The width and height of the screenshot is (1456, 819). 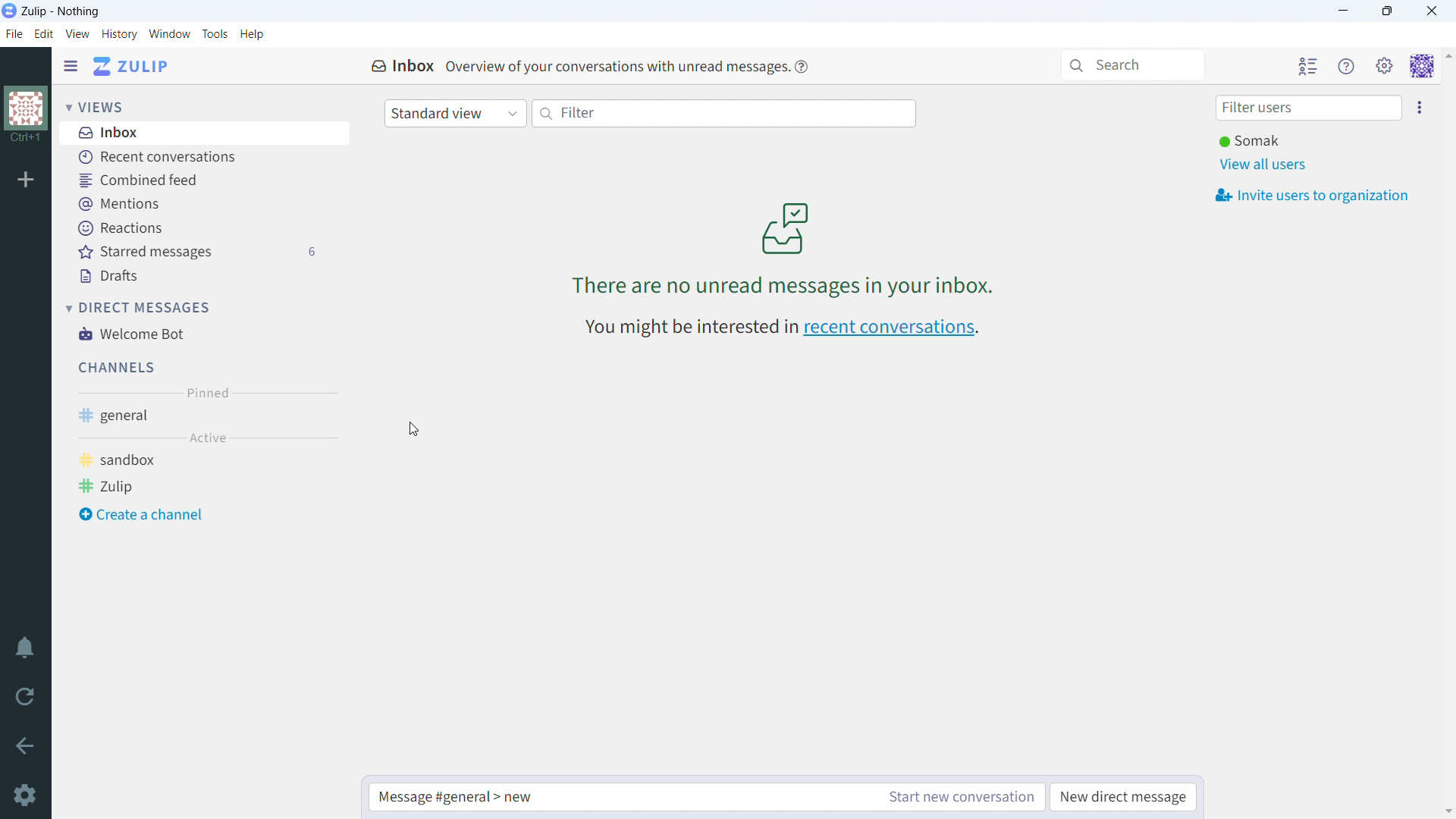 What do you see at coordinates (45, 33) in the screenshot?
I see `edit` at bounding box center [45, 33].